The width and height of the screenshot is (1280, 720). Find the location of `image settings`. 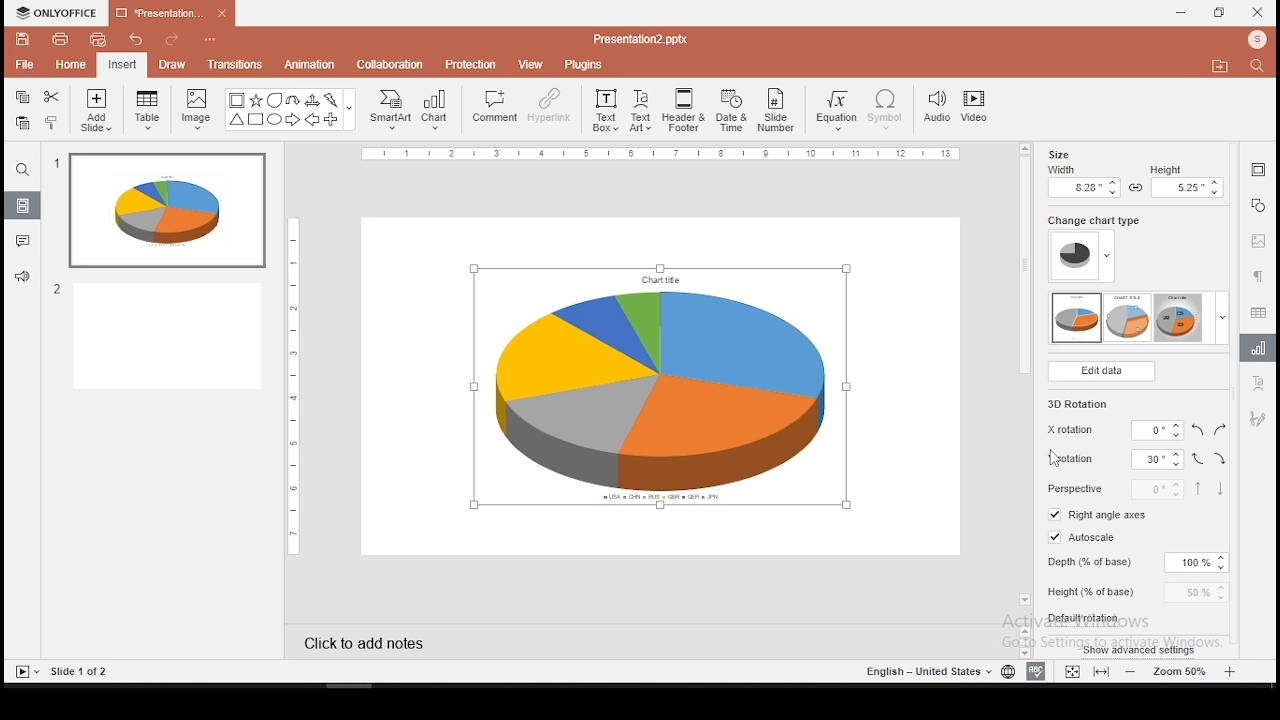

image settings is located at coordinates (1258, 242).